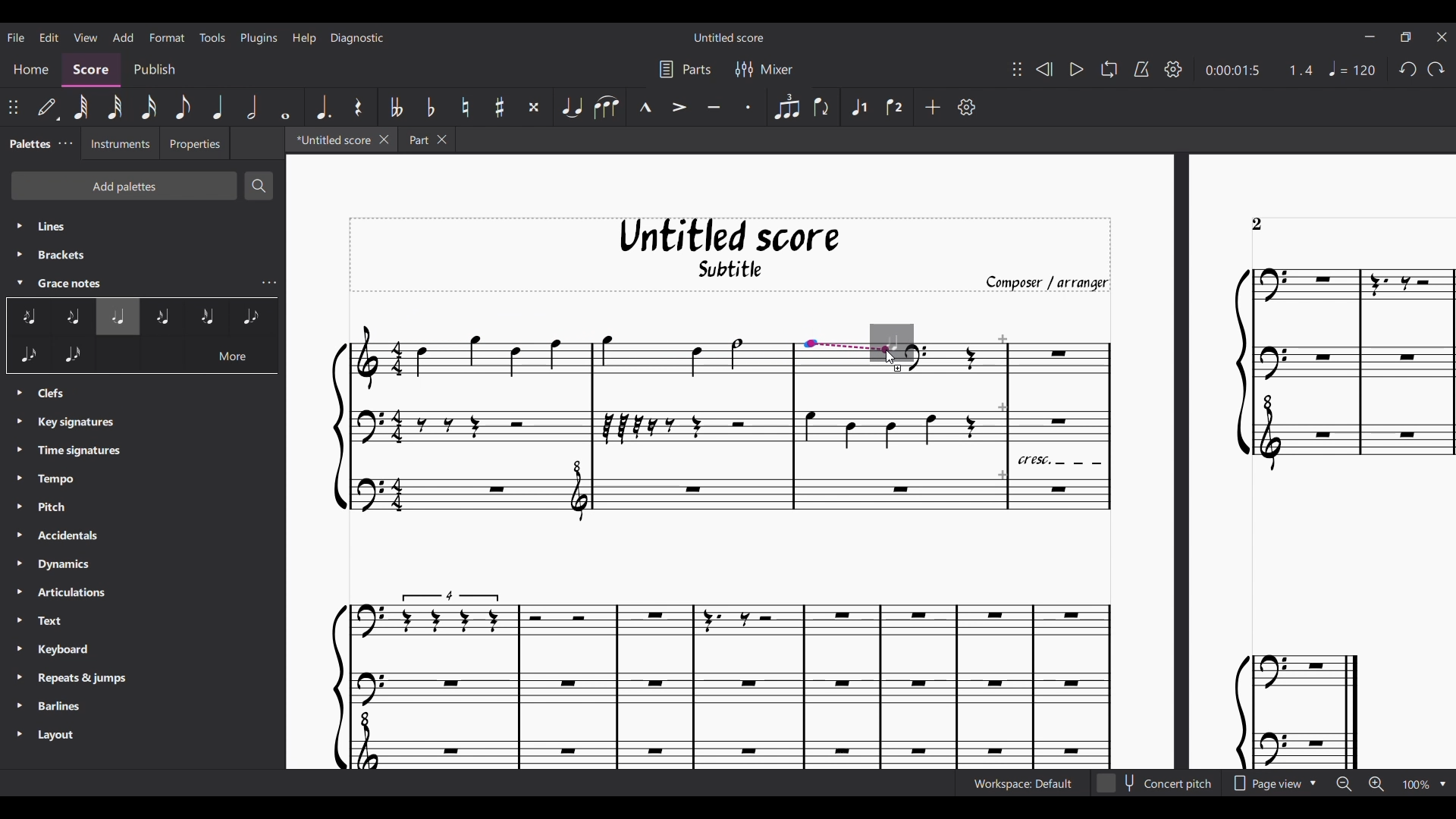 This screenshot has height=819, width=1456. I want to click on Toggle flat, so click(430, 108).